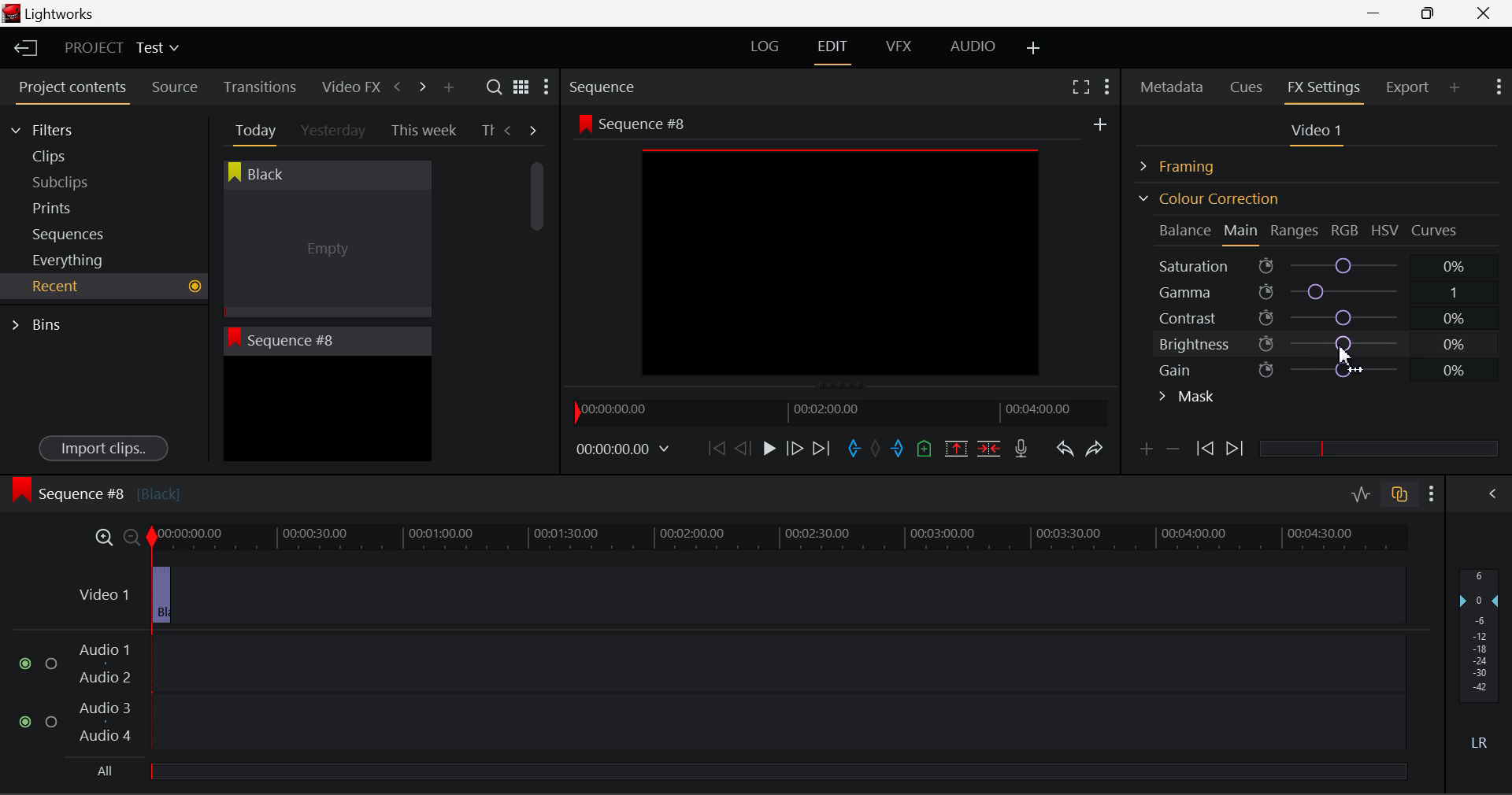  What do you see at coordinates (448, 88) in the screenshot?
I see `Add Panel` at bounding box center [448, 88].